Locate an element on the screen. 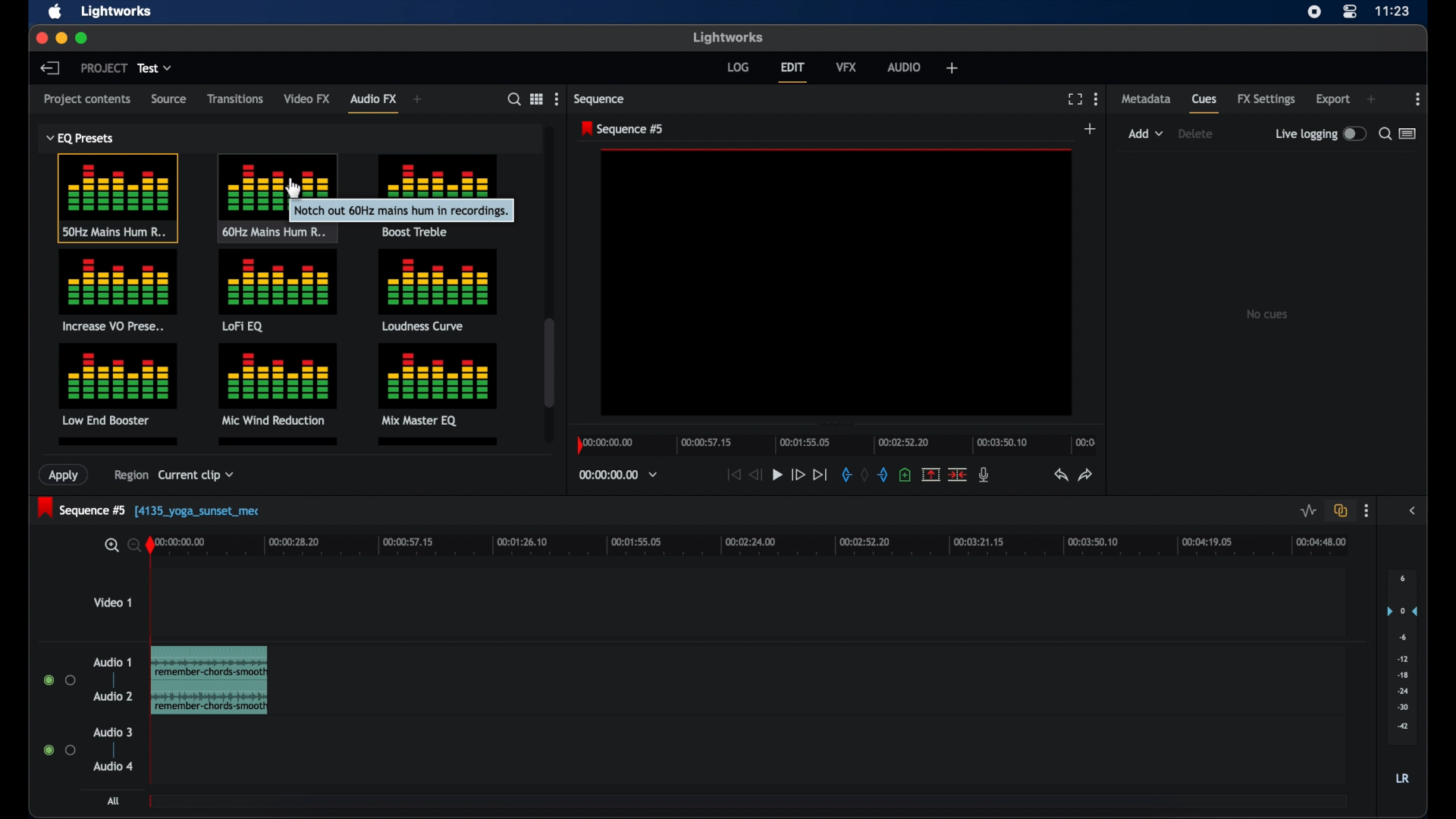 The image size is (1456, 819). clear marks is located at coordinates (864, 473).